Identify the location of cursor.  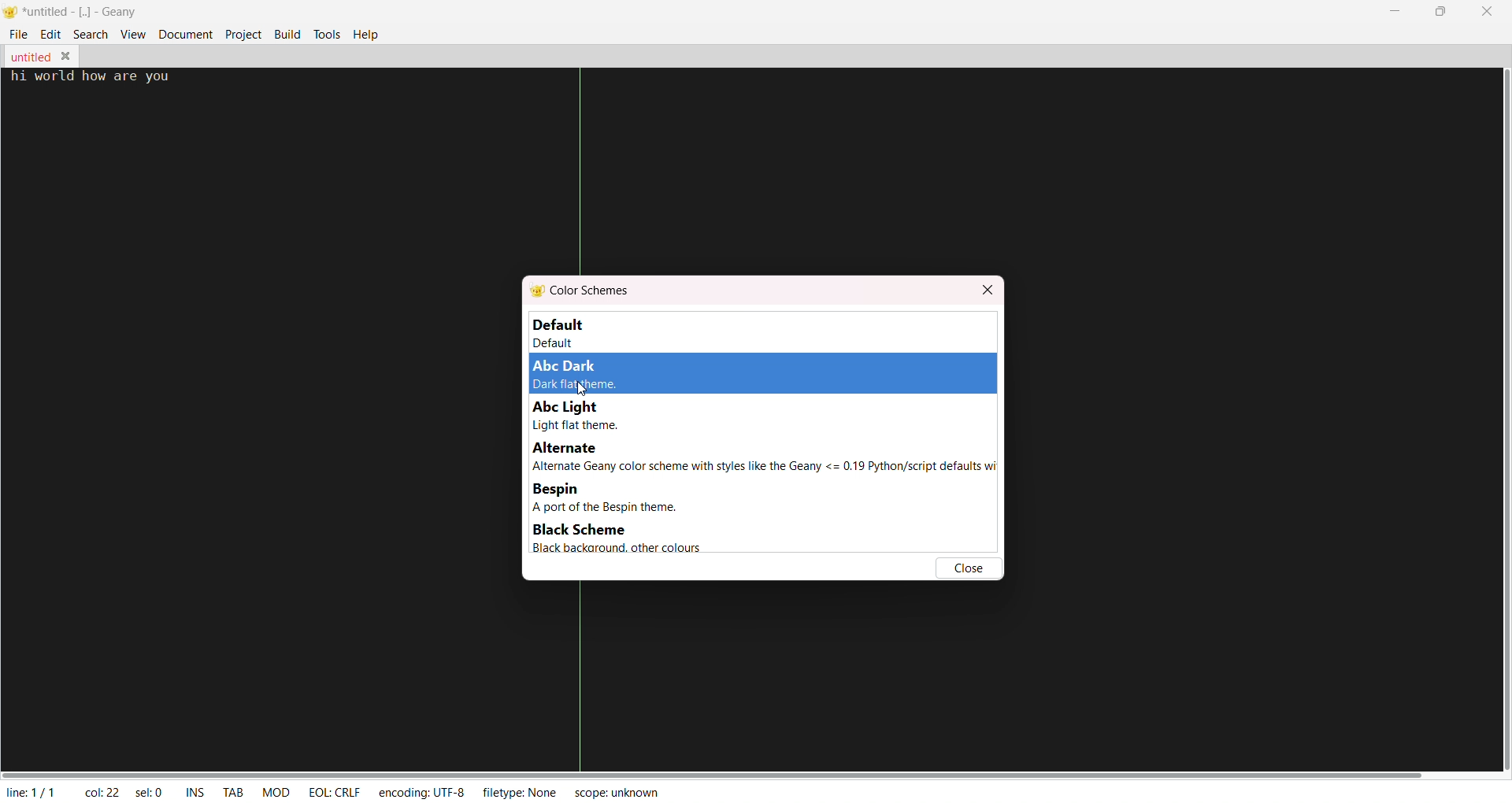
(583, 392).